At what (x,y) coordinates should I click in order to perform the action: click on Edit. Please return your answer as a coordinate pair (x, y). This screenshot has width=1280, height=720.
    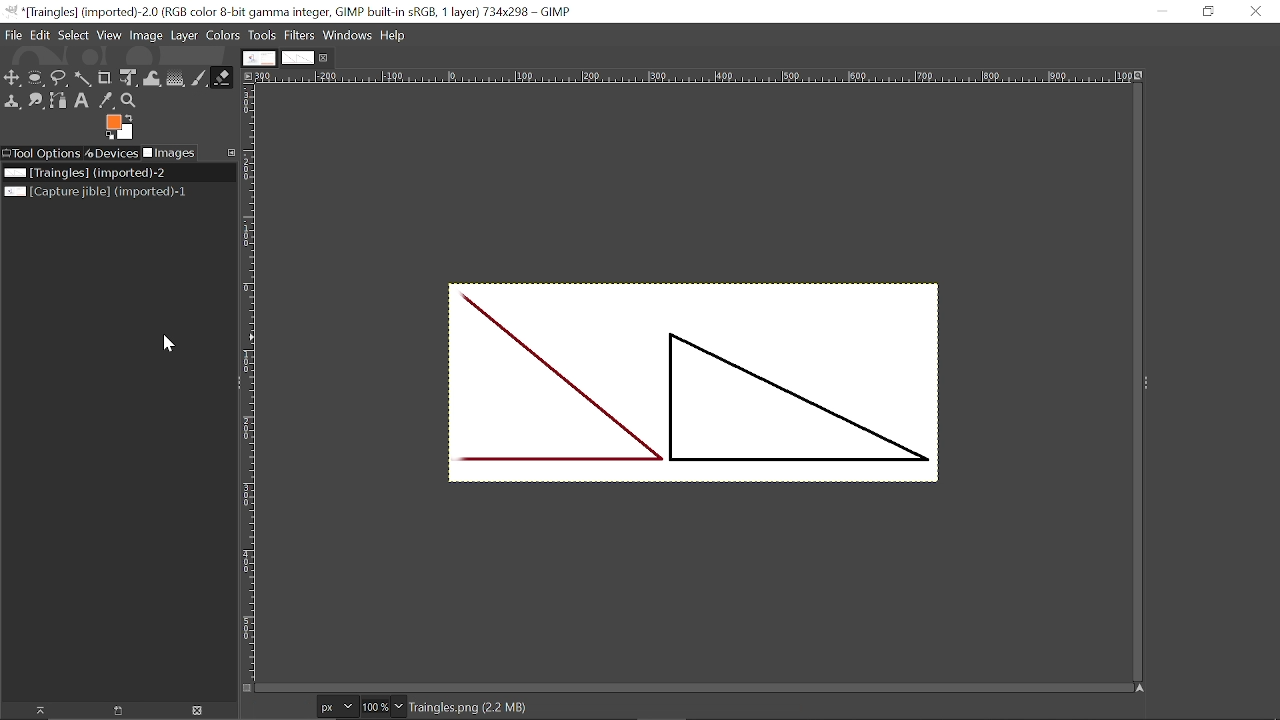
    Looking at the image, I should click on (39, 34).